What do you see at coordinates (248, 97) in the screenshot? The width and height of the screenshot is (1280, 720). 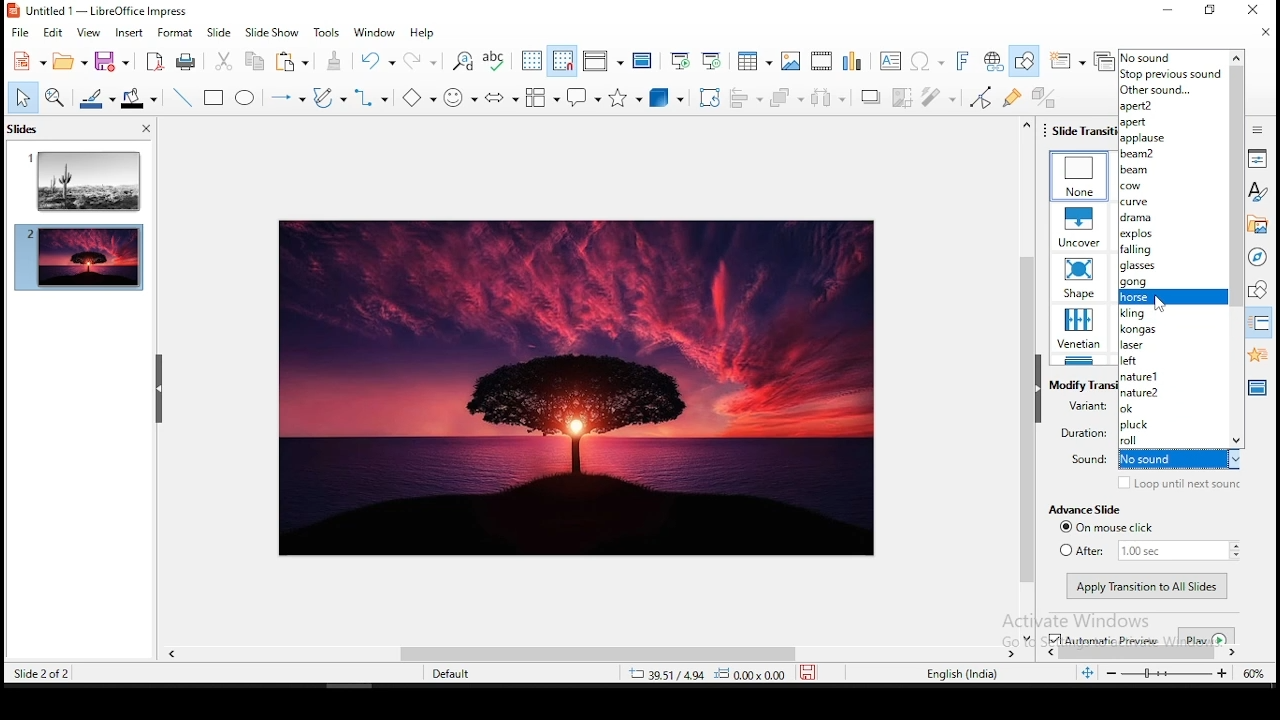 I see `ellipse` at bounding box center [248, 97].